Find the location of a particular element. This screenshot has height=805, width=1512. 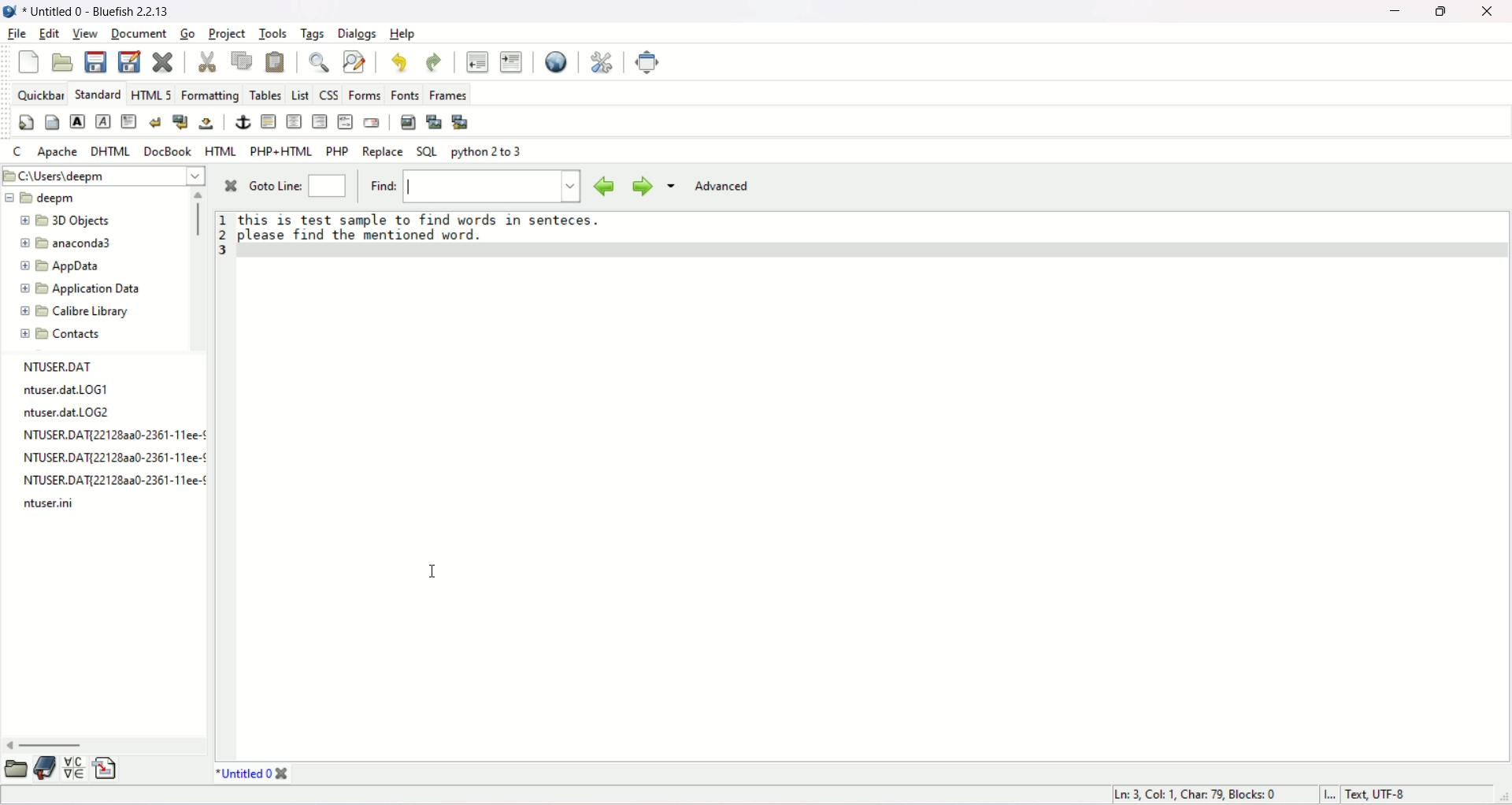

fonts is located at coordinates (404, 93).